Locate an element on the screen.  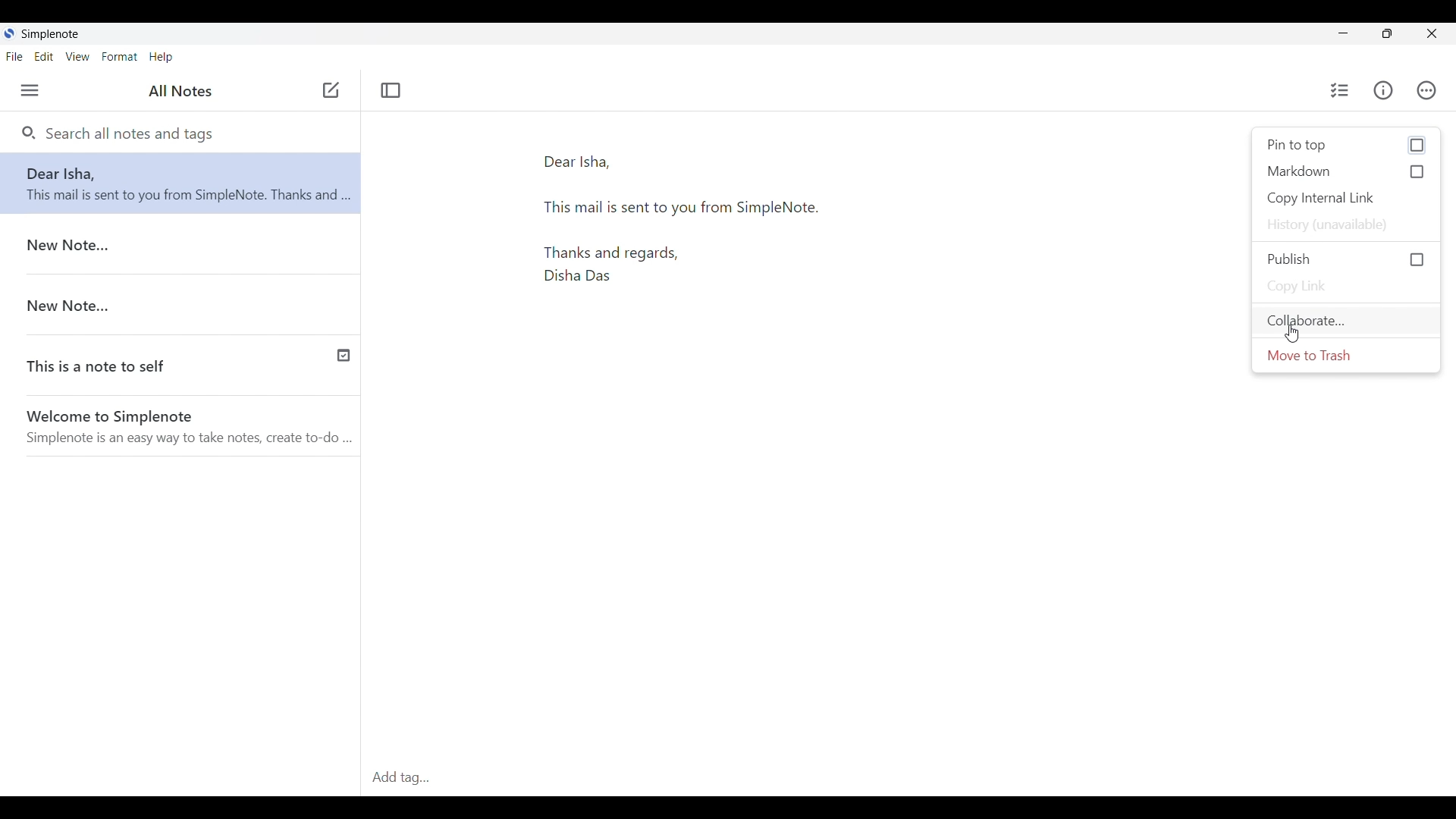
Help is located at coordinates (162, 57).